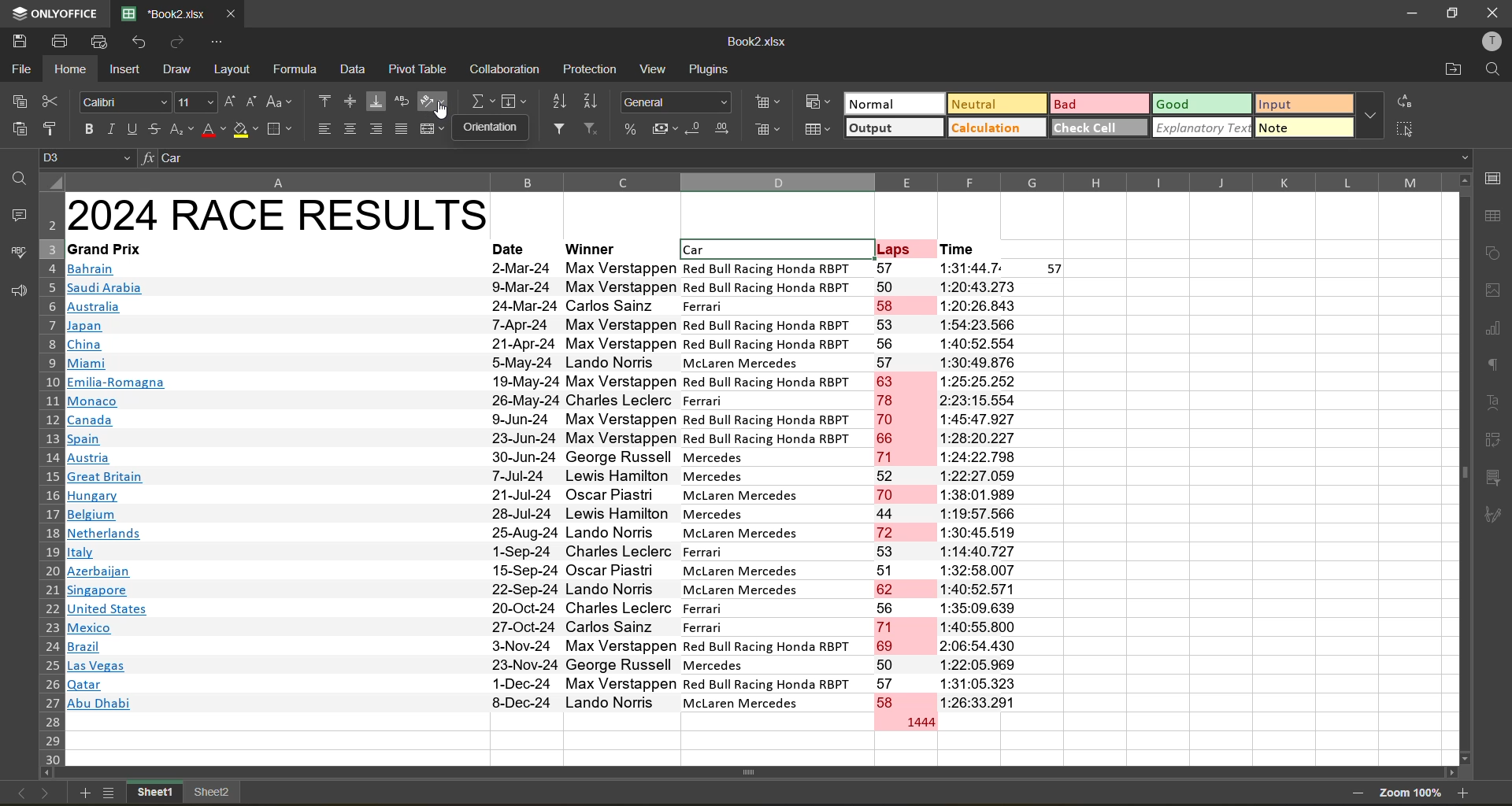 This screenshot has width=1512, height=806. What do you see at coordinates (350, 100) in the screenshot?
I see `align middle` at bounding box center [350, 100].